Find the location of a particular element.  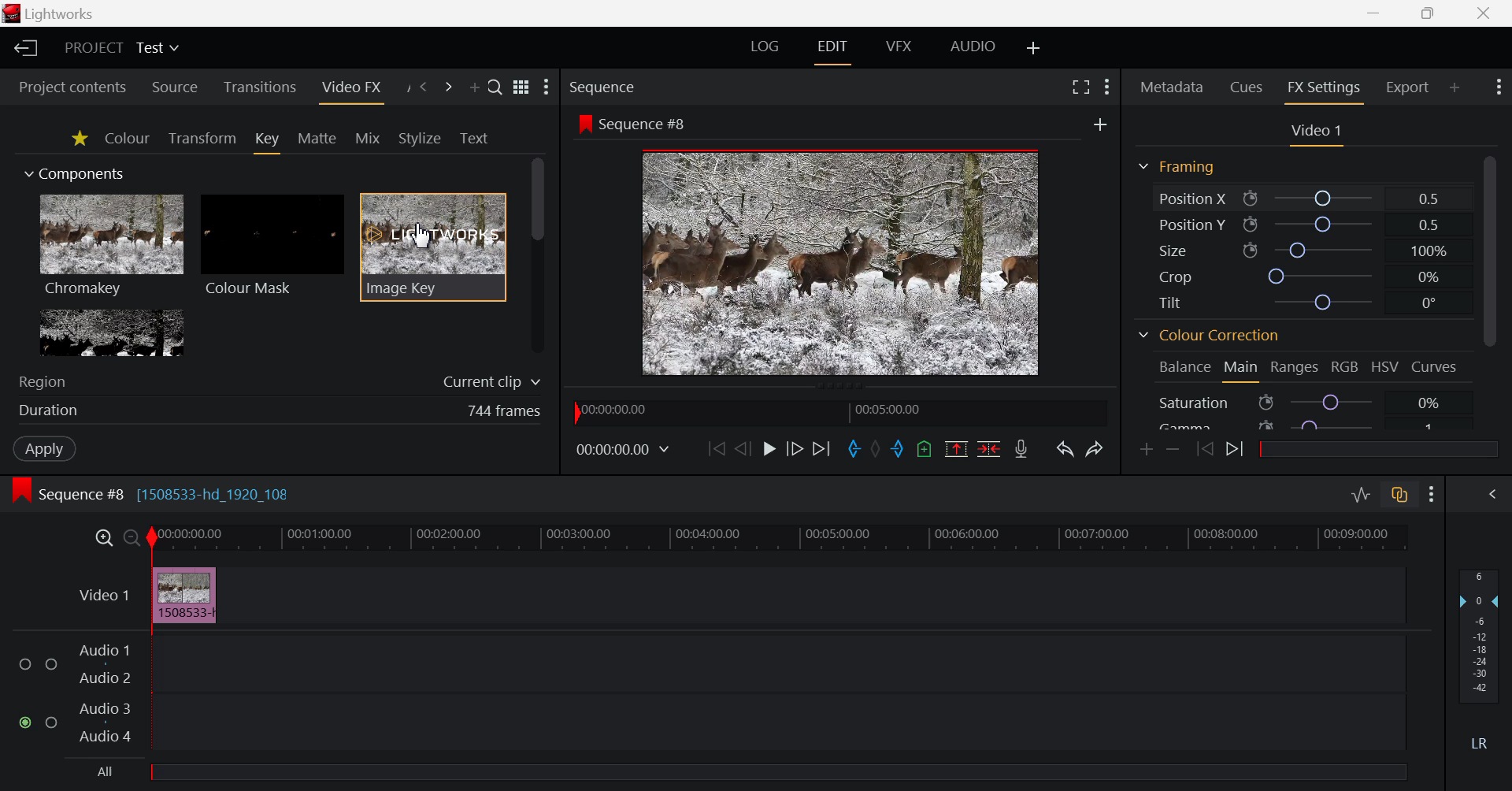

Framing Section is located at coordinates (1180, 171).